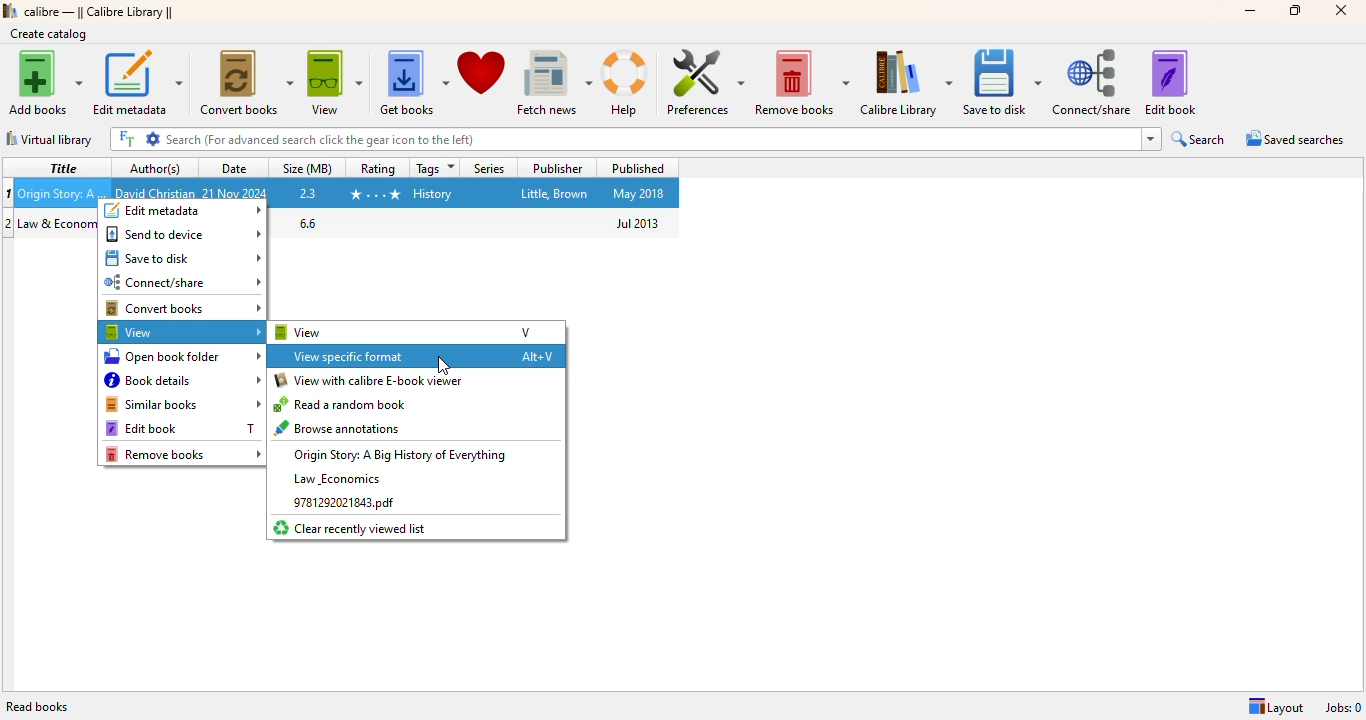 The width and height of the screenshot is (1366, 720). What do you see at coordinates (1344, 708) in the screenshot?
I see `jobs: 0` at bounding box center [1344, 708].